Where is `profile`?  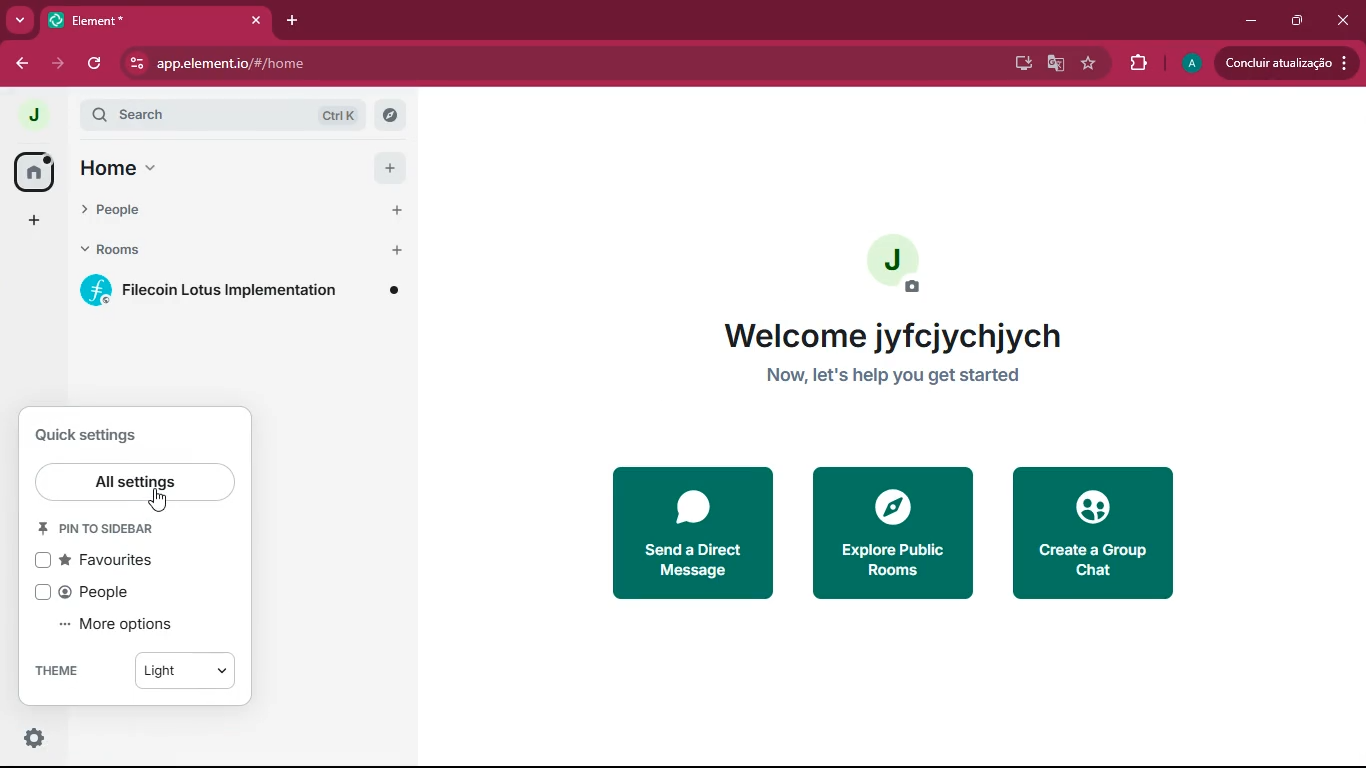
profile is located at coordinates (1187, 63).